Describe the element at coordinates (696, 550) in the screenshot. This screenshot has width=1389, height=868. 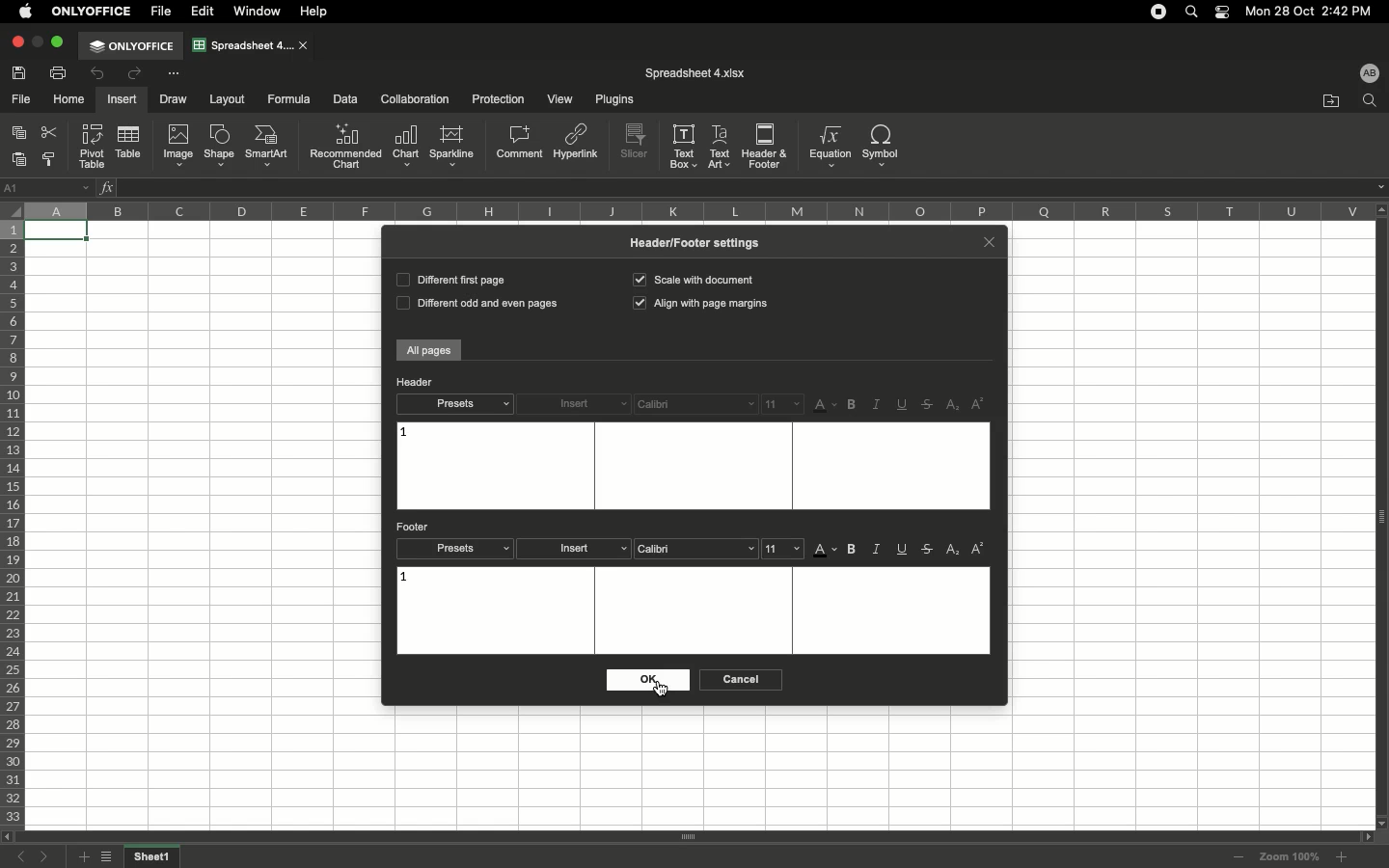
I see `Font style` at that location.